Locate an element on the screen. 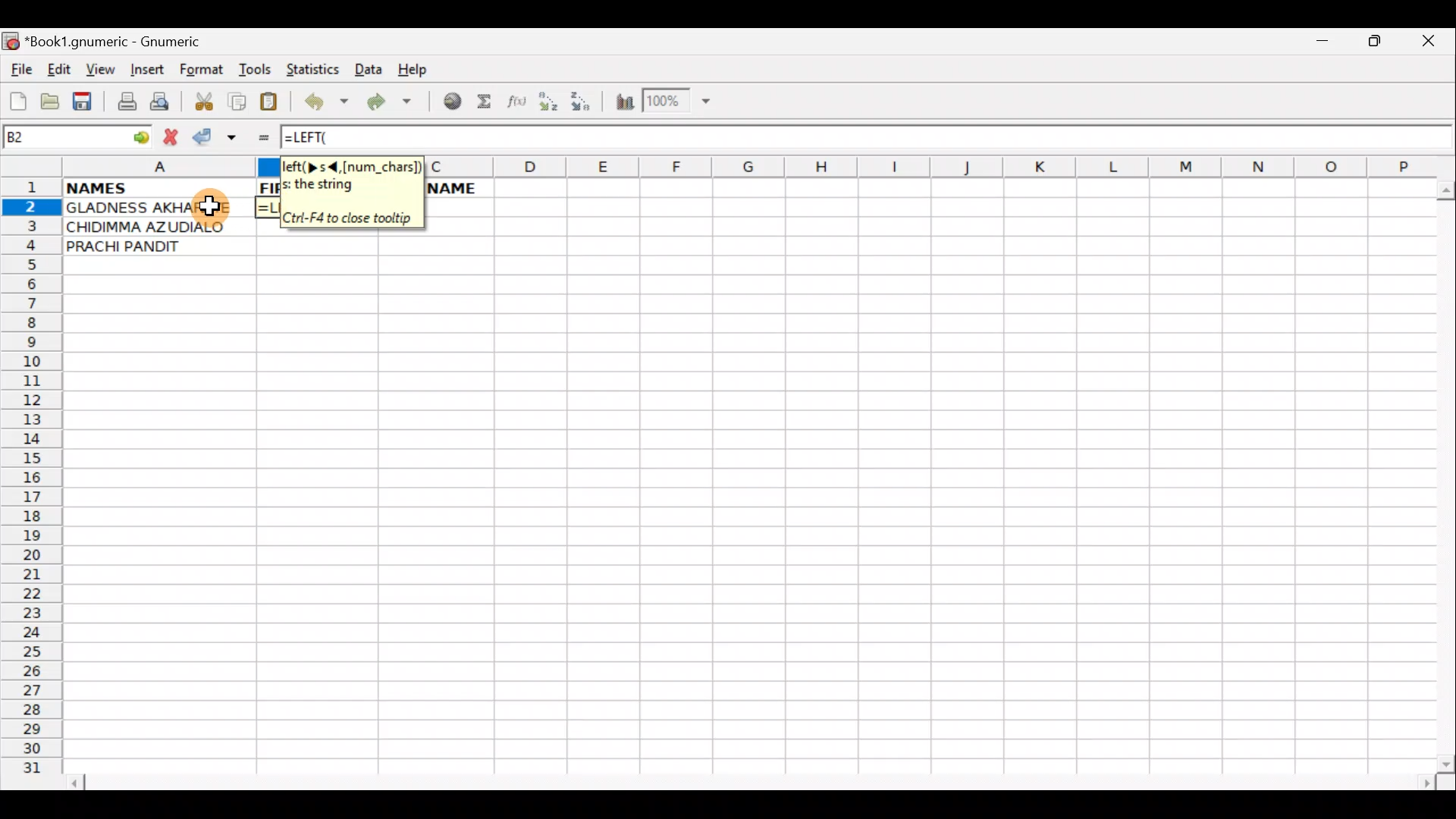  Sum in the current cell is located at coordinates (489, 102).